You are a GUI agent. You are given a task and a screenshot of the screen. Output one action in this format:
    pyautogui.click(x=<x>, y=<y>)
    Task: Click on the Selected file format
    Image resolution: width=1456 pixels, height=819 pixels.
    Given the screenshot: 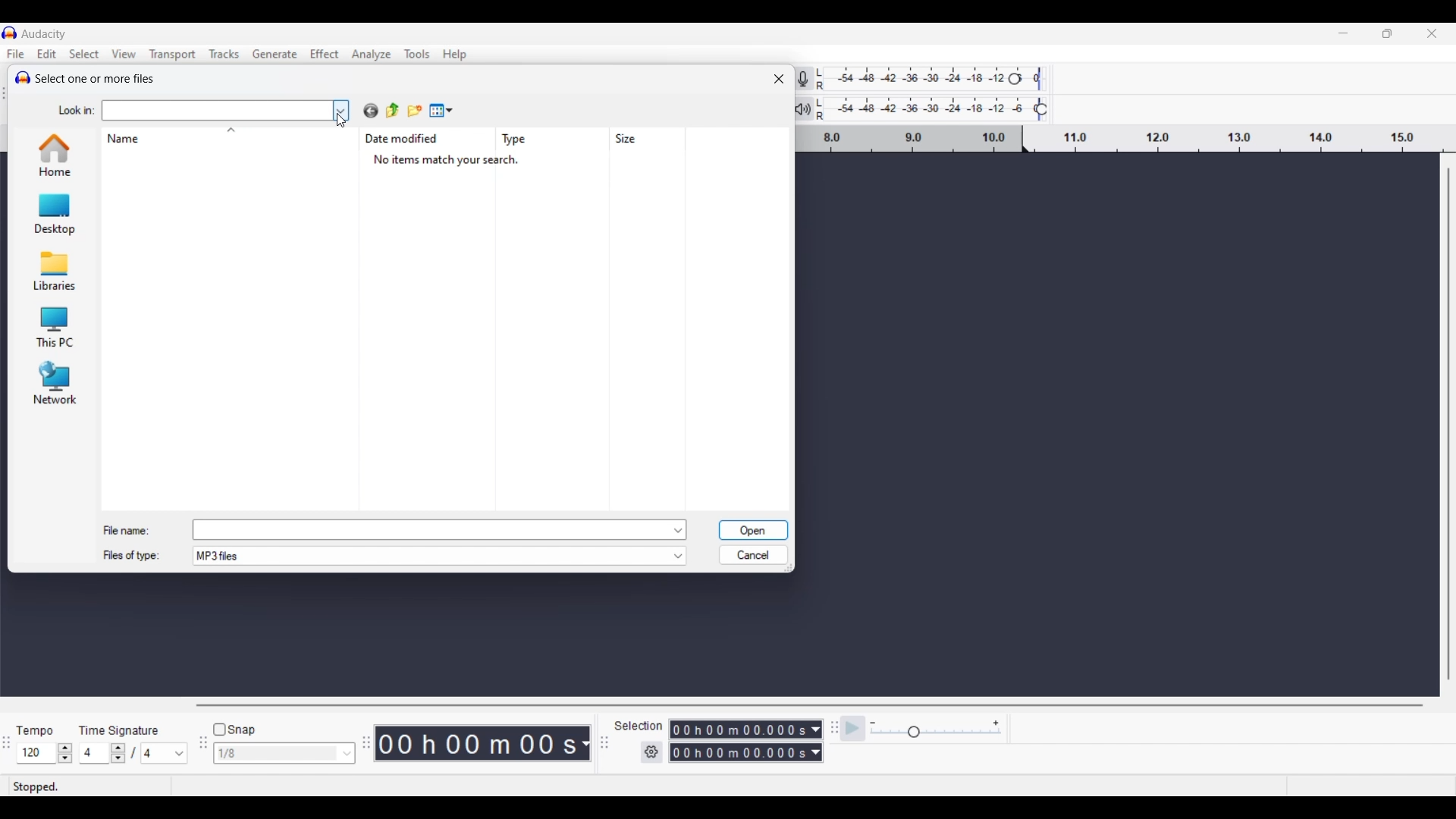 What is the action you would take?
    pyautogui.click(x=430, y=557)
    